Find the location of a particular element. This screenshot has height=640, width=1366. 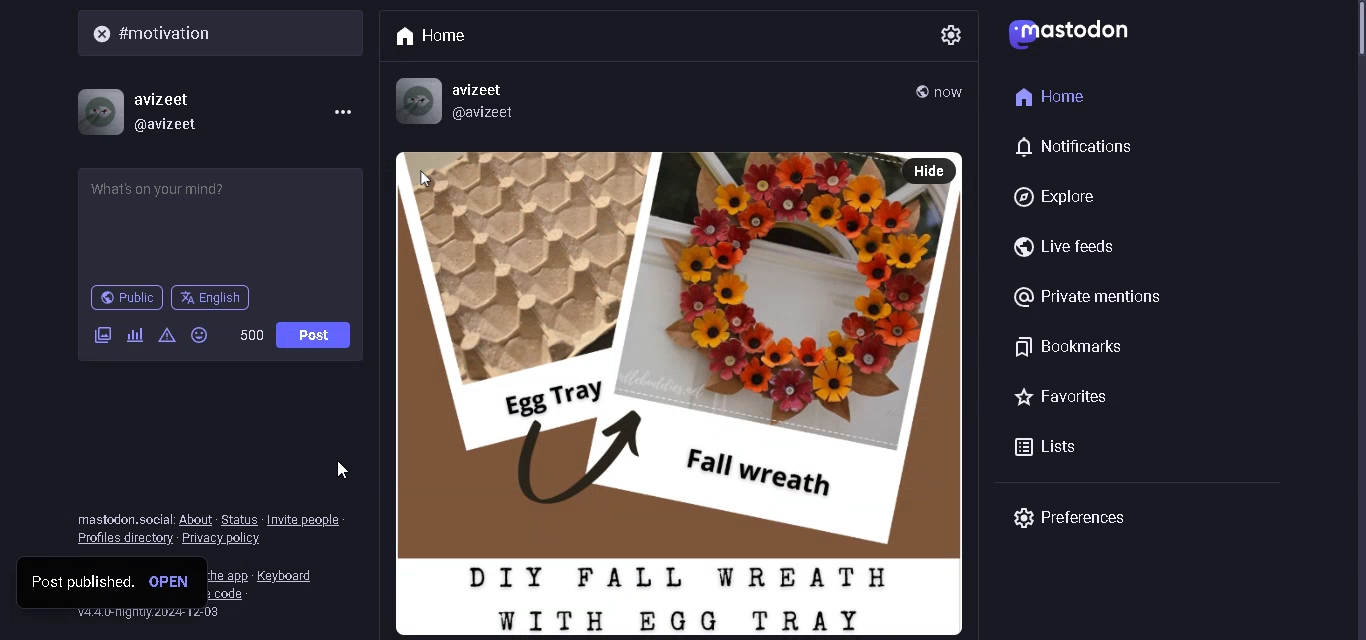

open is located at coordinates (176, 583).